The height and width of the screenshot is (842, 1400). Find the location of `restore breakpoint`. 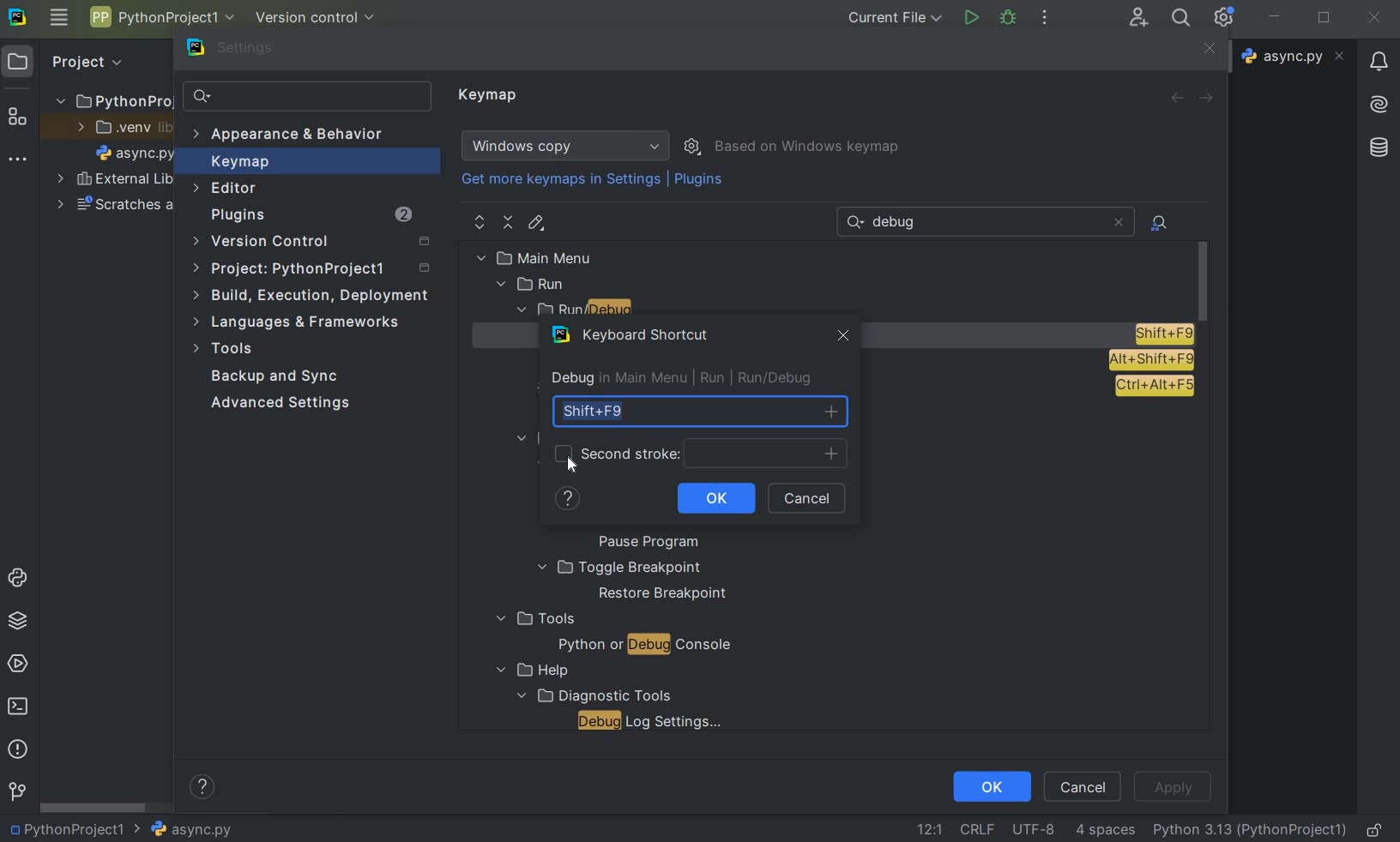

restore breakpoint is located at coordinates (664, 594).